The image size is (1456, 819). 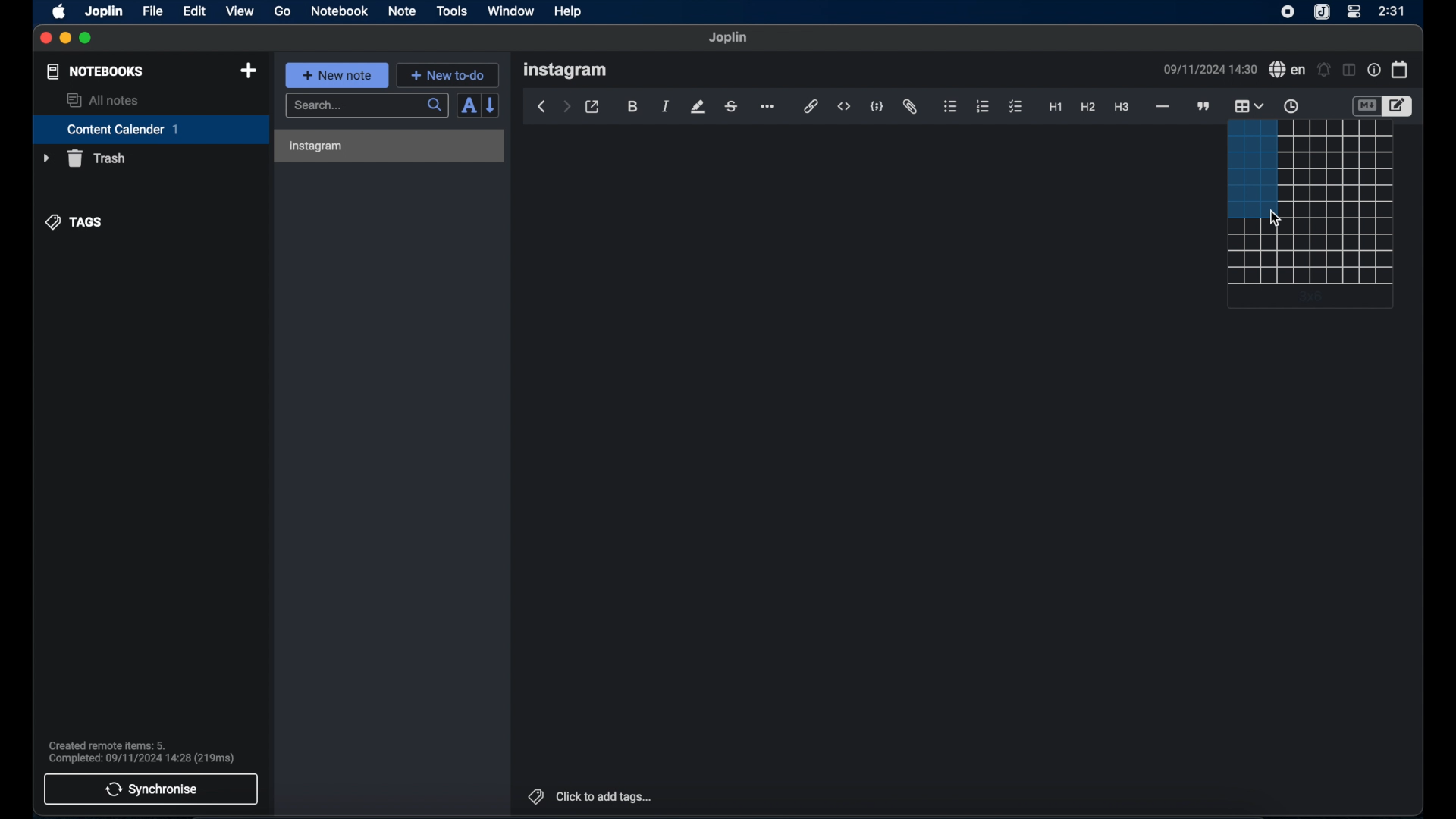 What do you see at coordinates (1392, 11) in the screenshot?
I see `2:31(time)` at bounding box center [1392, 11].